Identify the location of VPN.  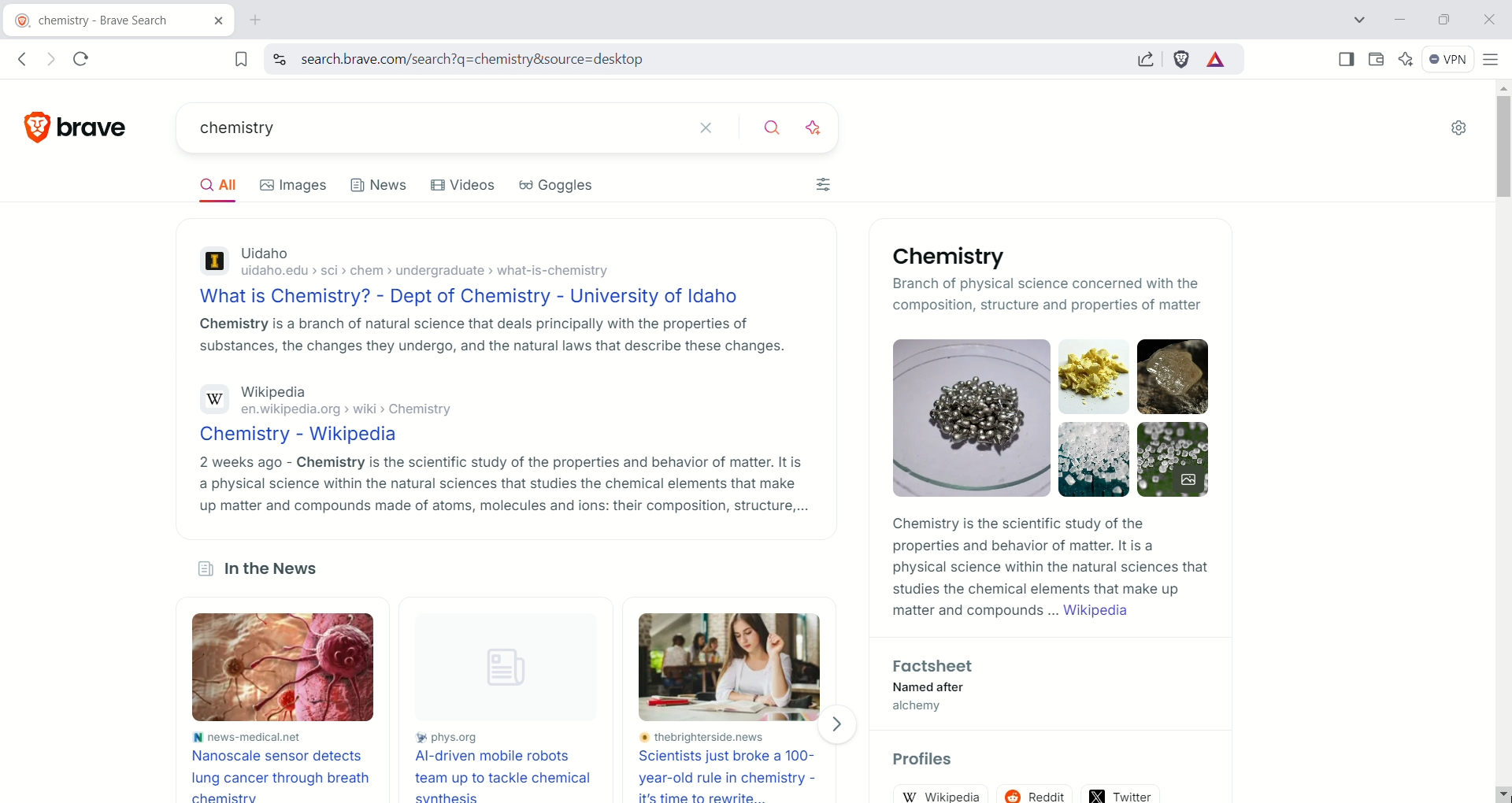
(1444, 57).